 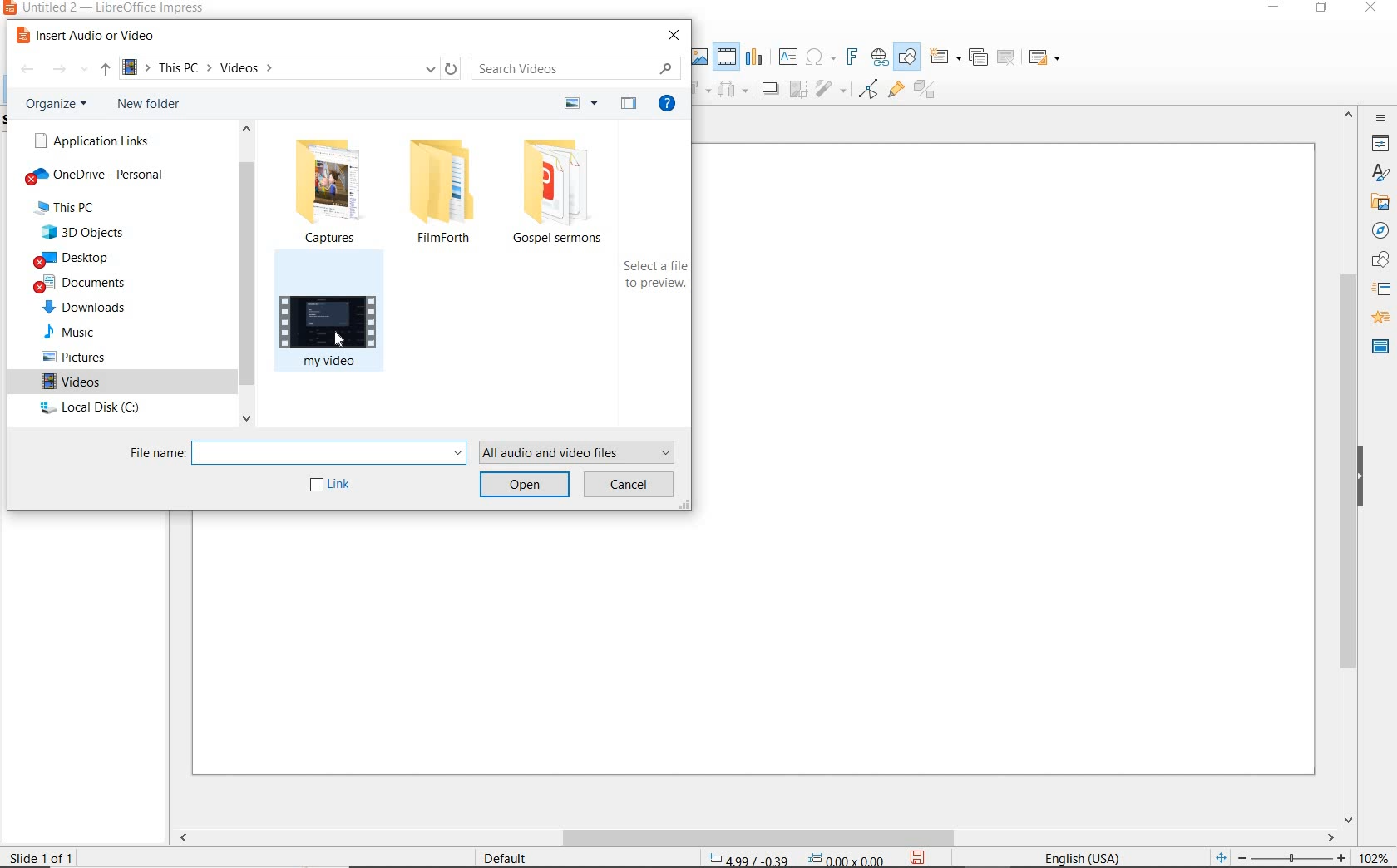 What do you see at coordinates (506, 856) in the screenshot?
I see `DEFAULT` at bounding box center [506, 856].